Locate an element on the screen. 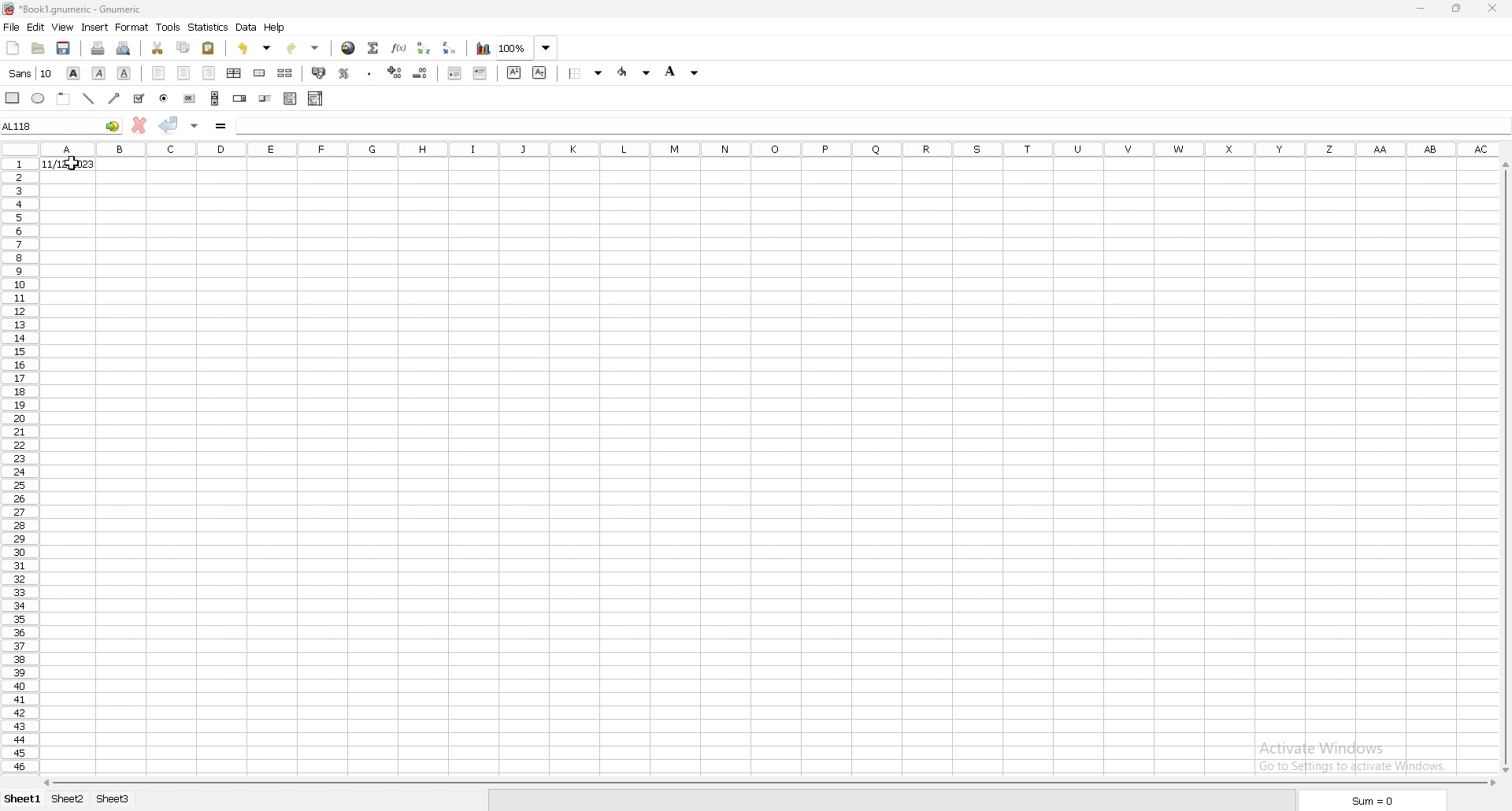 The image size is (1512, 811). decrease indent is located at coordinates (455, 72).